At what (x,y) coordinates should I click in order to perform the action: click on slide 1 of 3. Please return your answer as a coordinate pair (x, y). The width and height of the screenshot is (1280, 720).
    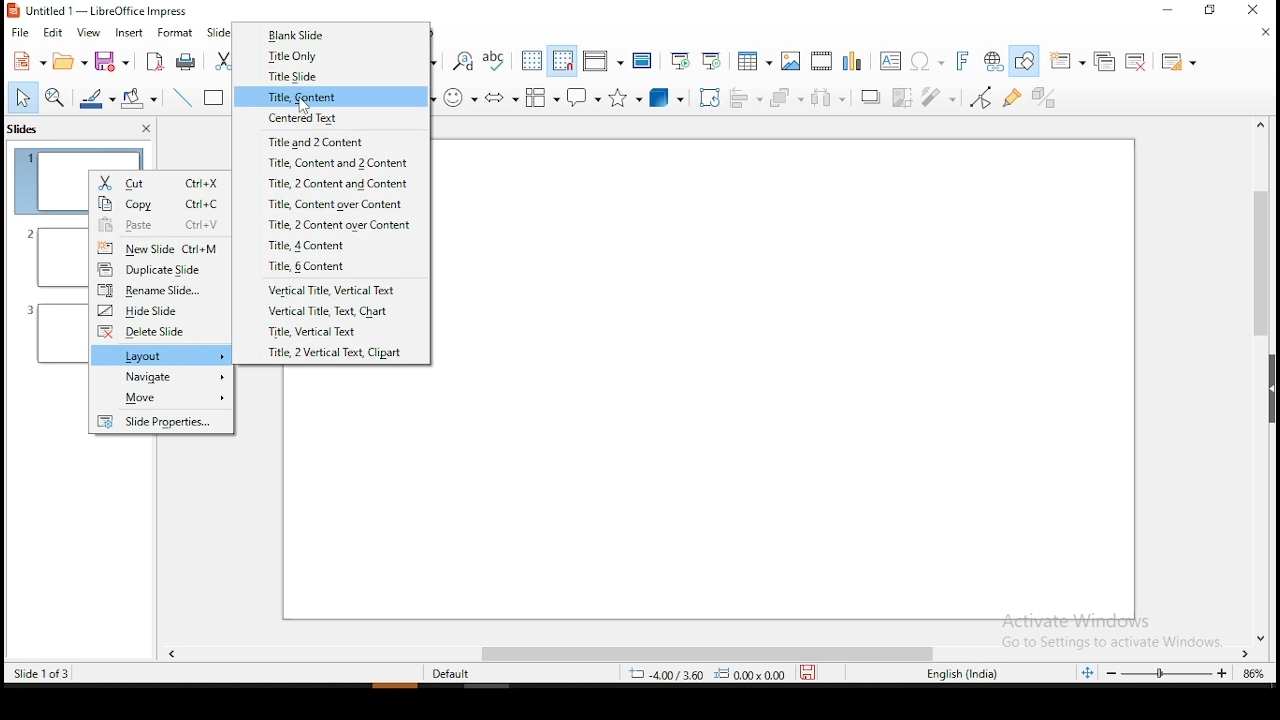
    Looking at the image, I should click on (39, 673).